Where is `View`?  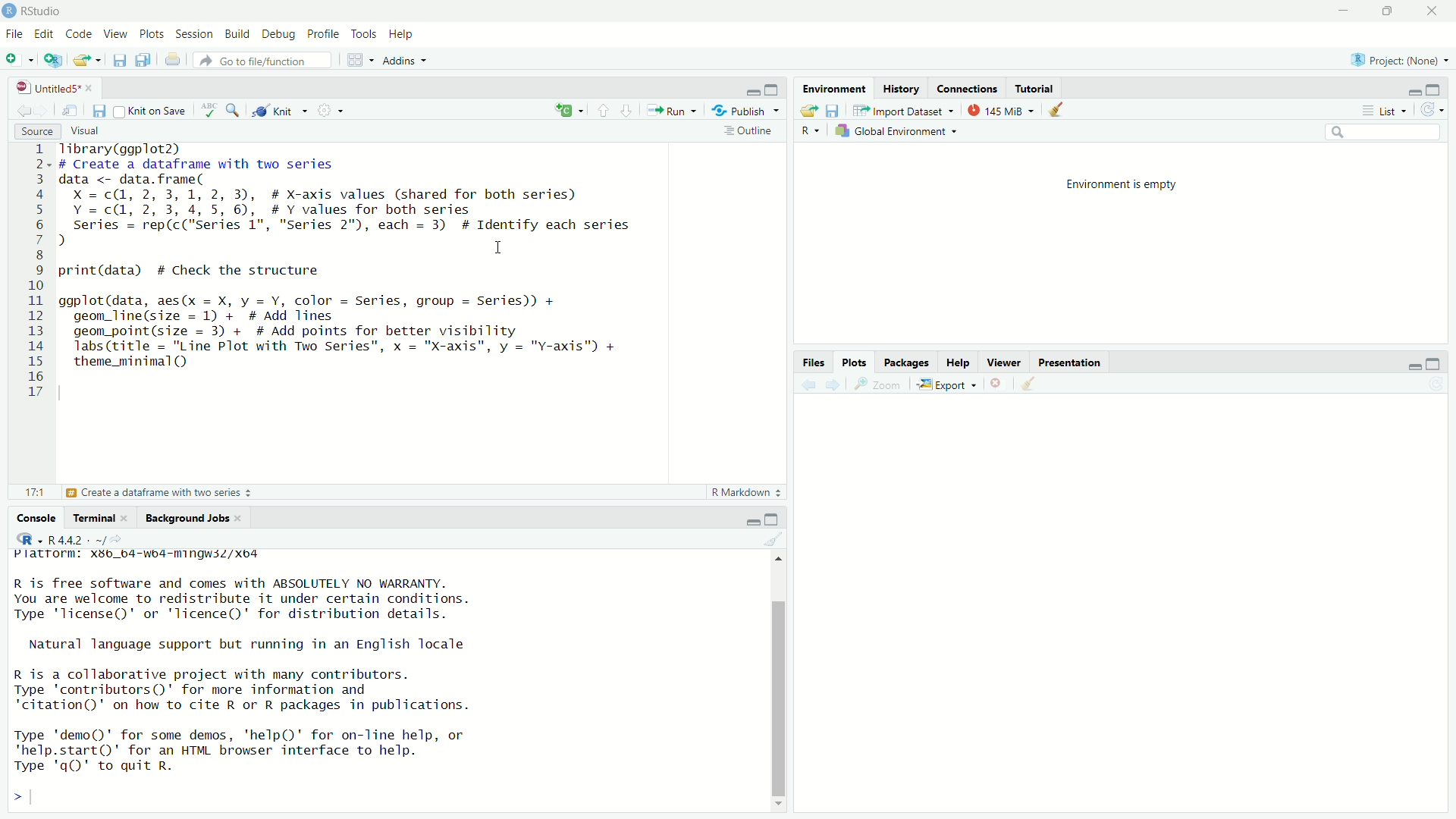
View is located at coordinates (117, 36).